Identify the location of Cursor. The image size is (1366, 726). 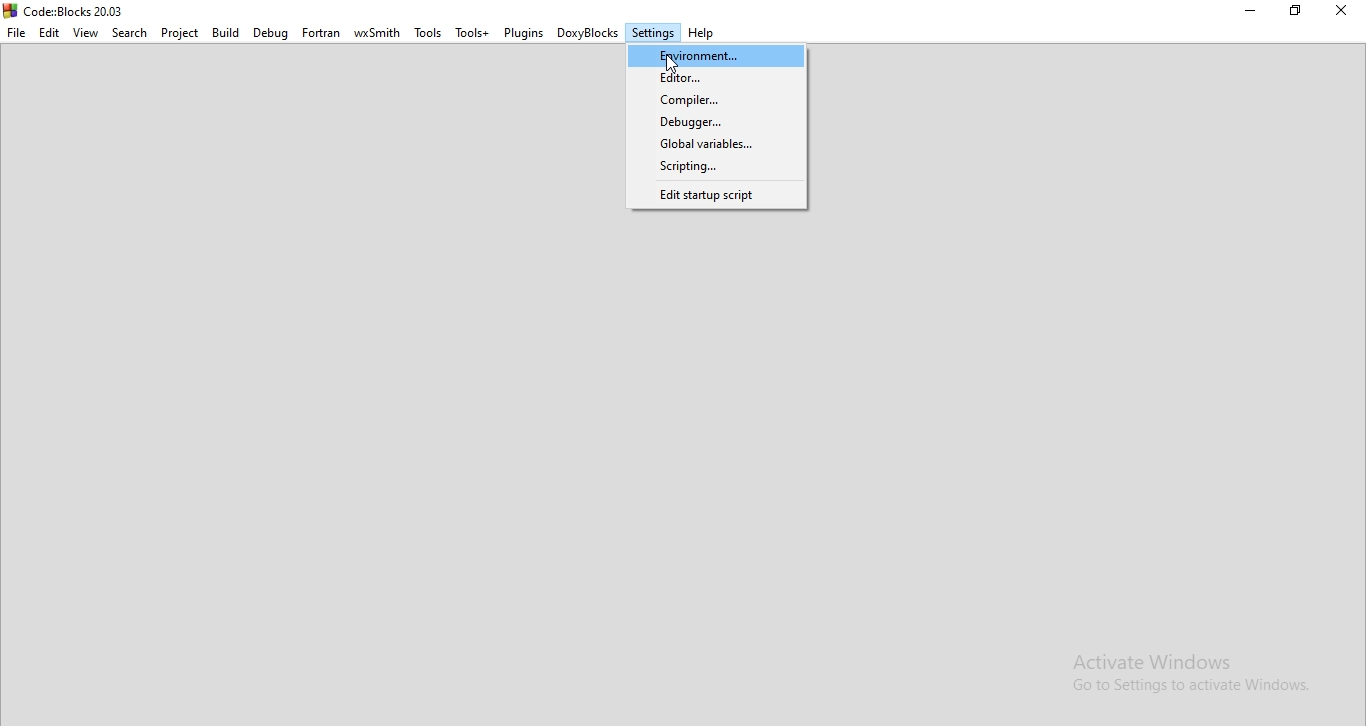
(671, 66).